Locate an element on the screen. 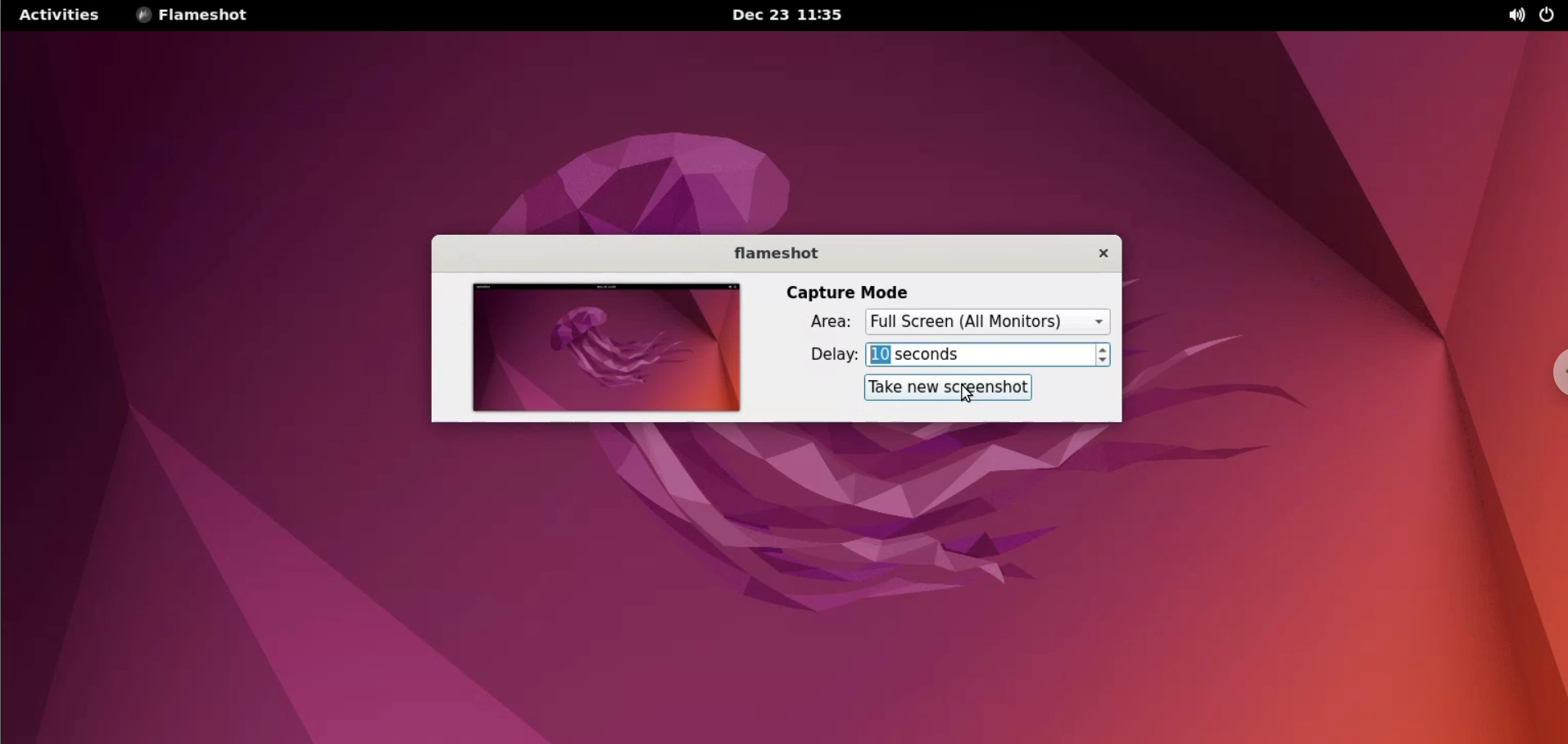  capture mode is located at coordinates (838, 293).